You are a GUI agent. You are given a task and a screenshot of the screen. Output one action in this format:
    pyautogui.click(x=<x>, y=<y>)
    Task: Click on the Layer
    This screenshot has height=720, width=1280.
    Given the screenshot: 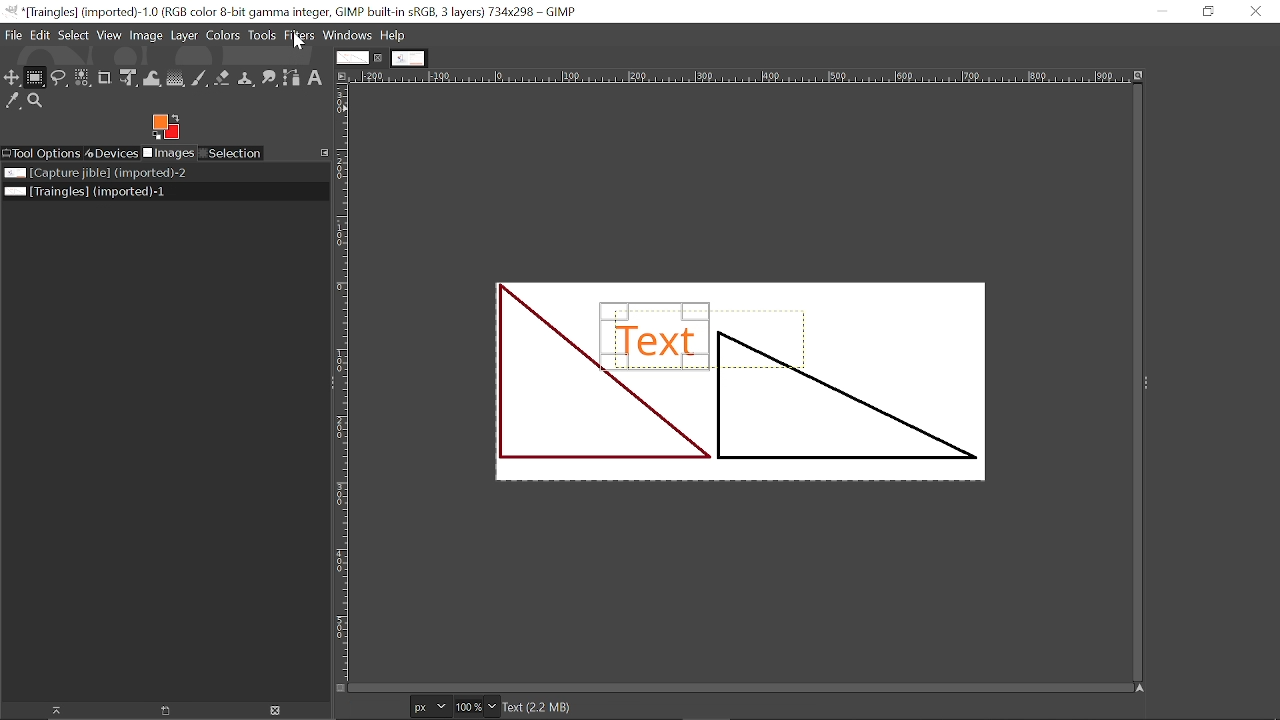 What is the action you would take?
    pyautogui.click(x=184, y=36)
    